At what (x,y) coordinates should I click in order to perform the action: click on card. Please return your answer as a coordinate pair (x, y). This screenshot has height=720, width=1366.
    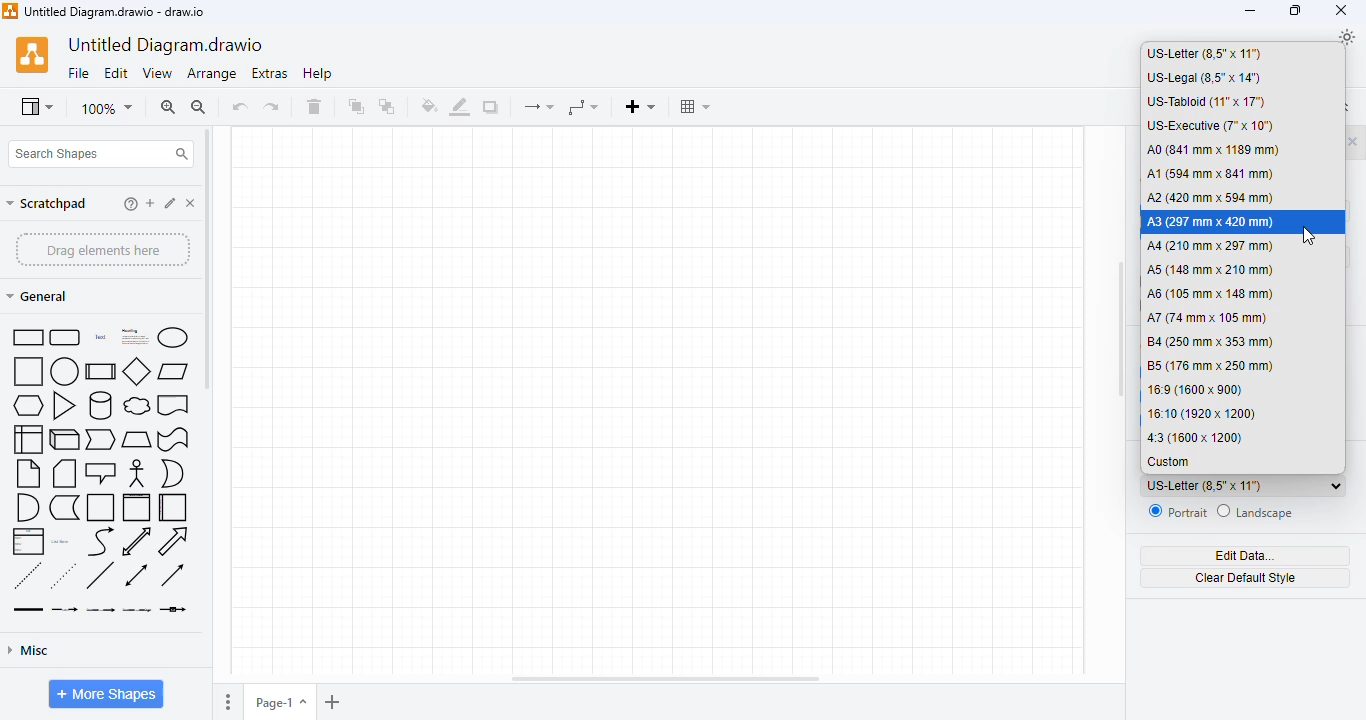
    Looking at the image, I should click on (63, 473).